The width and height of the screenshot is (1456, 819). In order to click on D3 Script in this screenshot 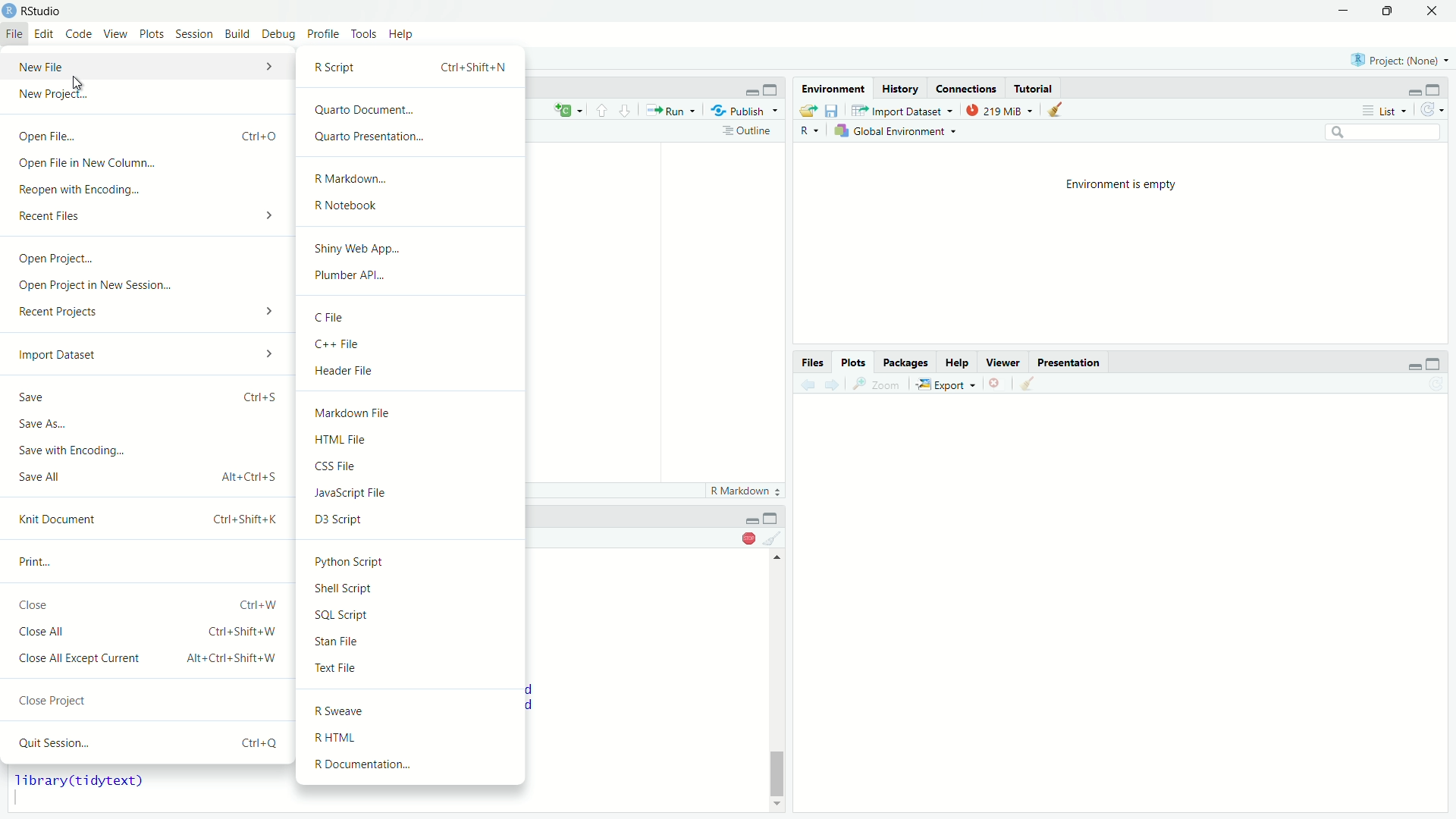, I will do `click(412, 518)`.